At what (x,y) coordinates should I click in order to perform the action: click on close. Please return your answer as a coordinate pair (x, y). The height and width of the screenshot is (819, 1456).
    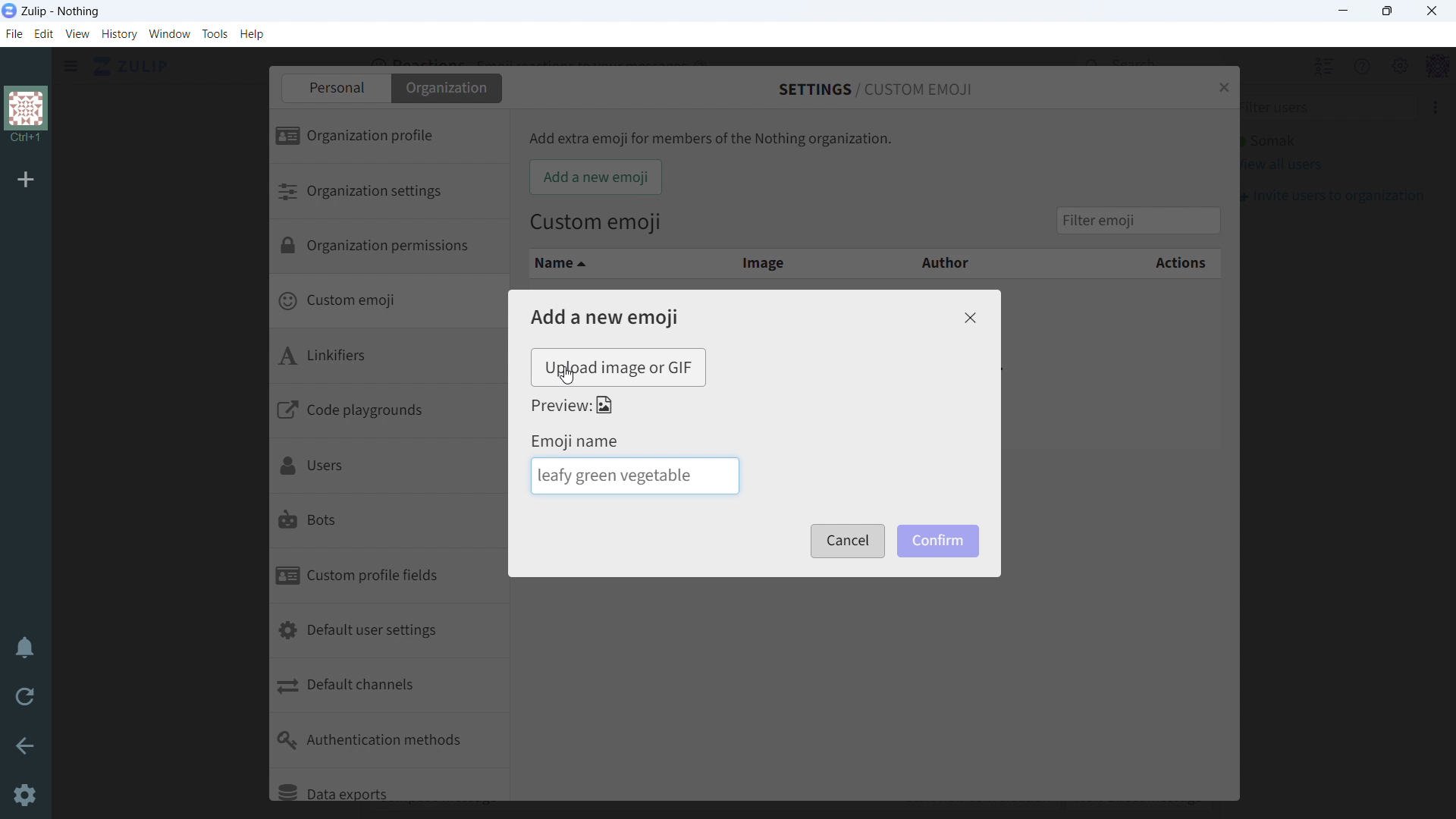
    Looking at the image, I should click on (1431, 11).